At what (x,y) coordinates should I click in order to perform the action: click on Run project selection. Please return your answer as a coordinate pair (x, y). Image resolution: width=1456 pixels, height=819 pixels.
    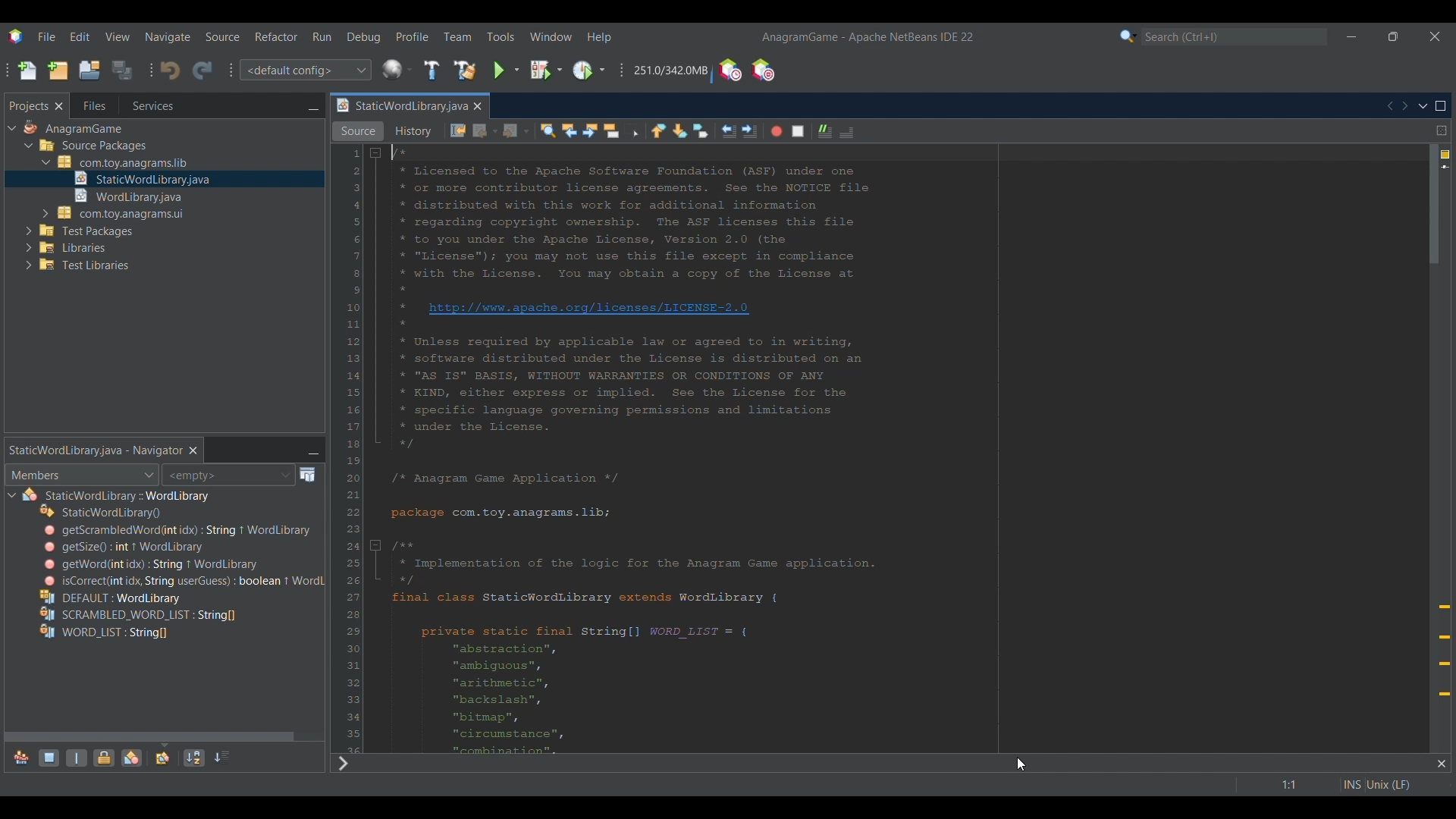
    Looking at the image, I should click on (500, 71).